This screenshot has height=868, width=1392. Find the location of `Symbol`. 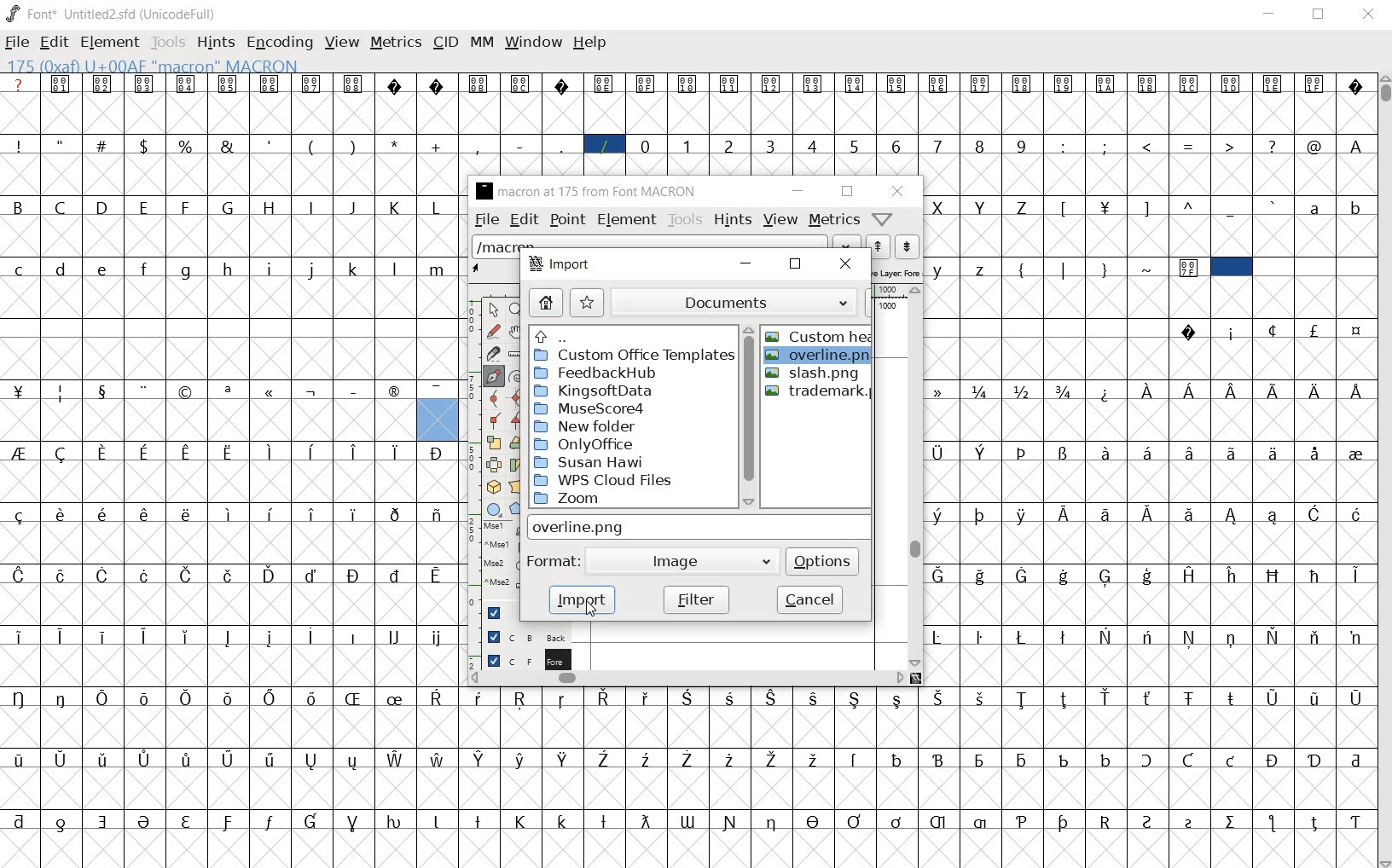

Symbol is located at coordinates (815, 84).